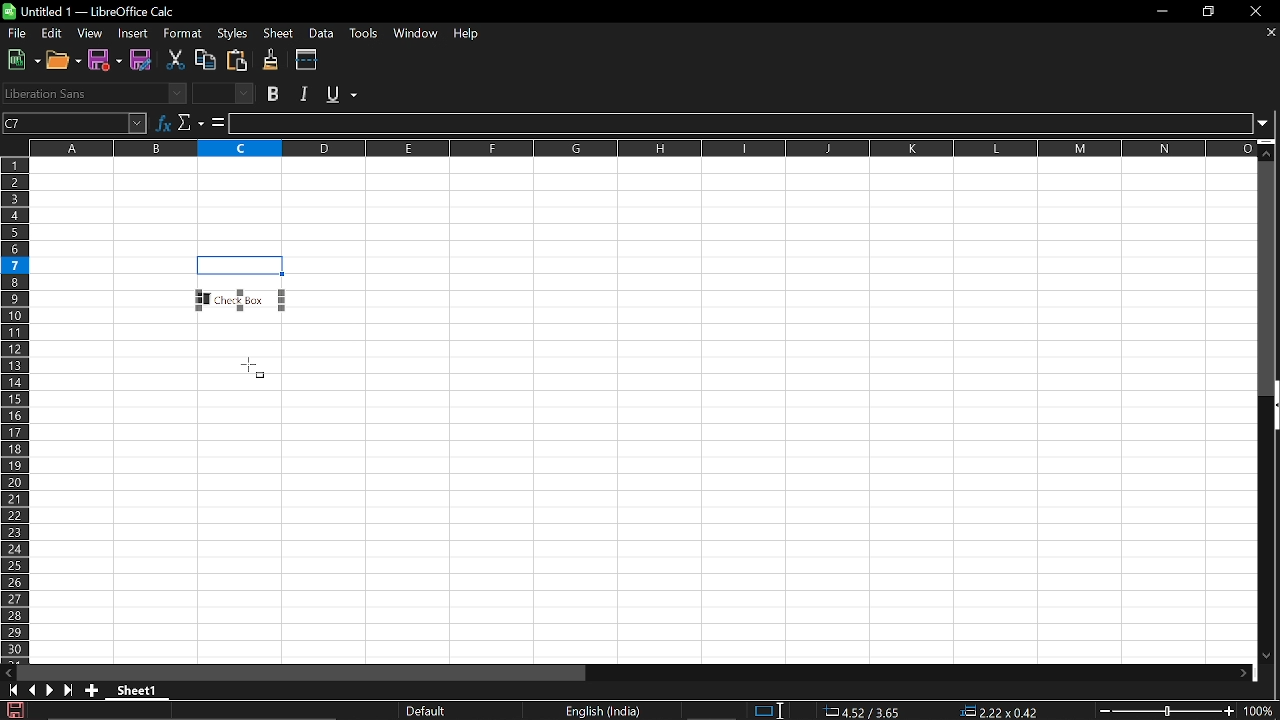  Describe the element at coordinates (75, 122) in the screenshot. I see `Name box` at that location.